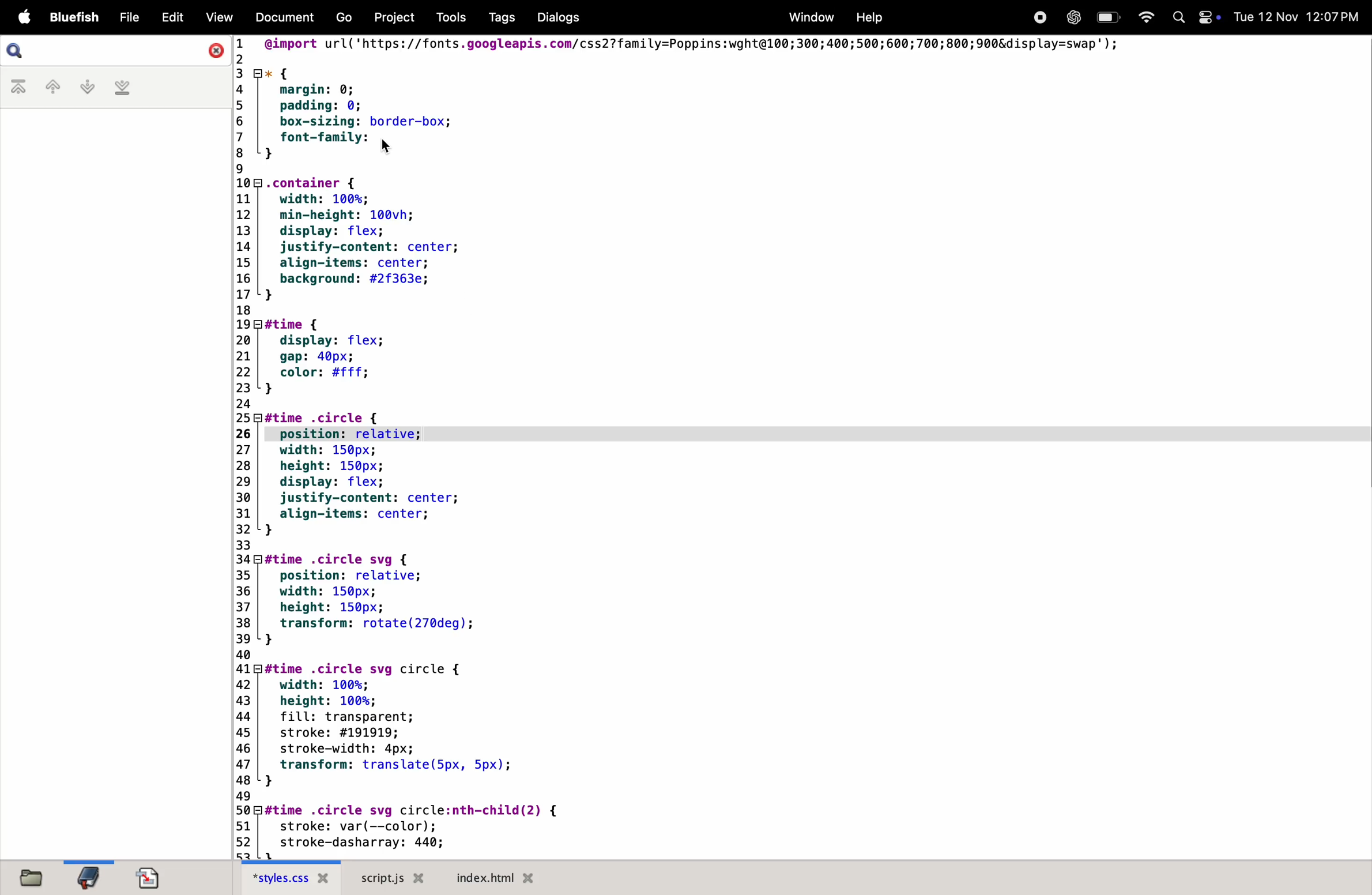 The image size is (1372, 895). What do you see at coordinates (82, 87) in the screenshot?
I see `next bookmark` at bounding box center [82, 87].